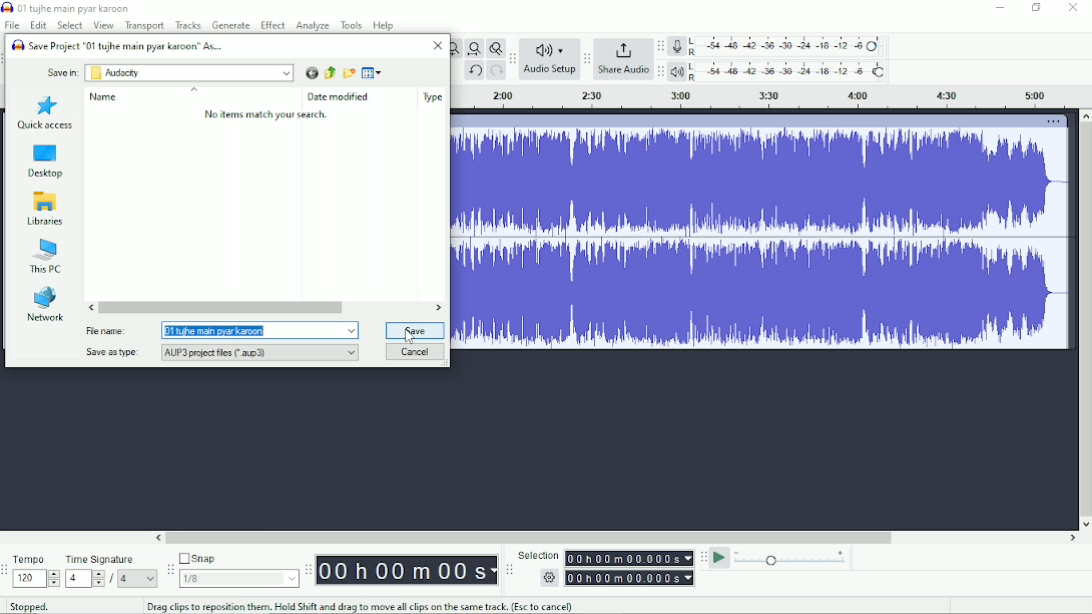 The width and height of the screenshot is (1092, 614). What do you see at coordinates (1084, 320) in the screenshot?
I see `Vertical scrollbar` at bounding box center [1084, 320].